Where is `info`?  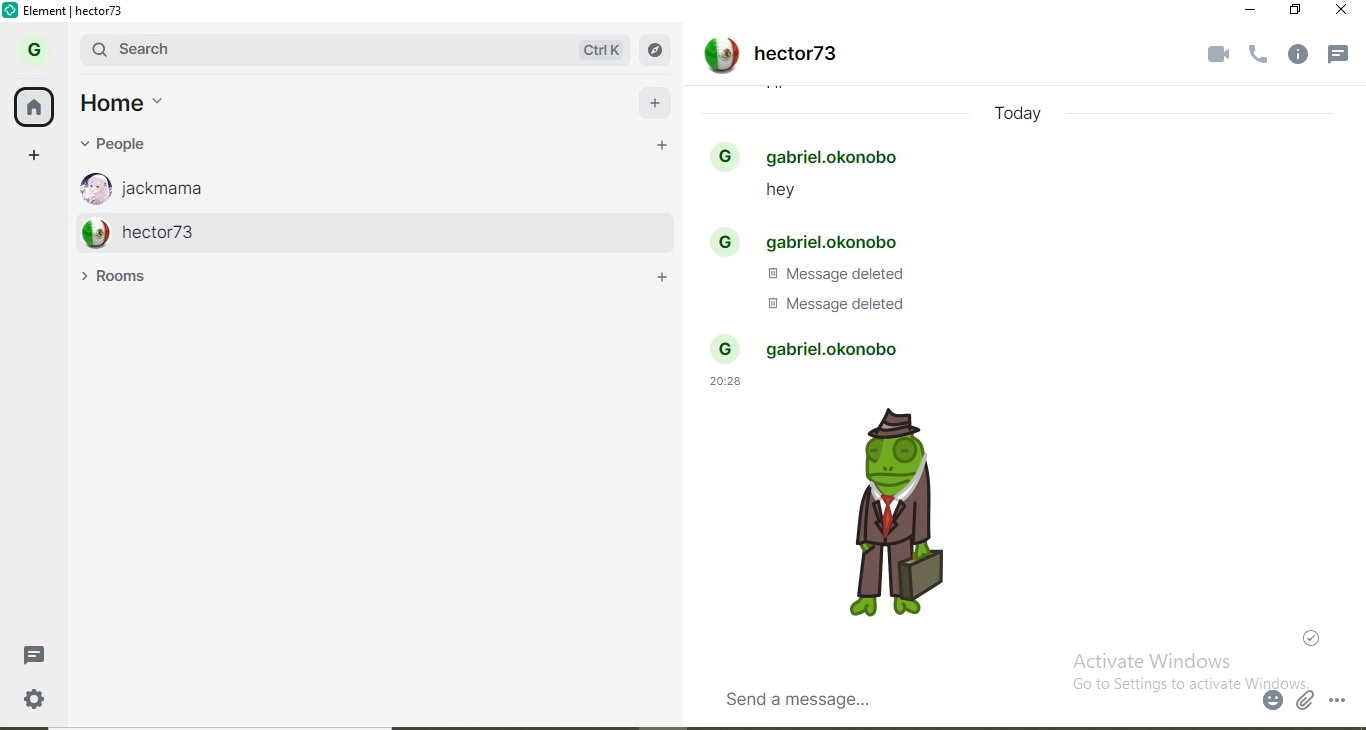 info is located at coordinates (1299, 55).